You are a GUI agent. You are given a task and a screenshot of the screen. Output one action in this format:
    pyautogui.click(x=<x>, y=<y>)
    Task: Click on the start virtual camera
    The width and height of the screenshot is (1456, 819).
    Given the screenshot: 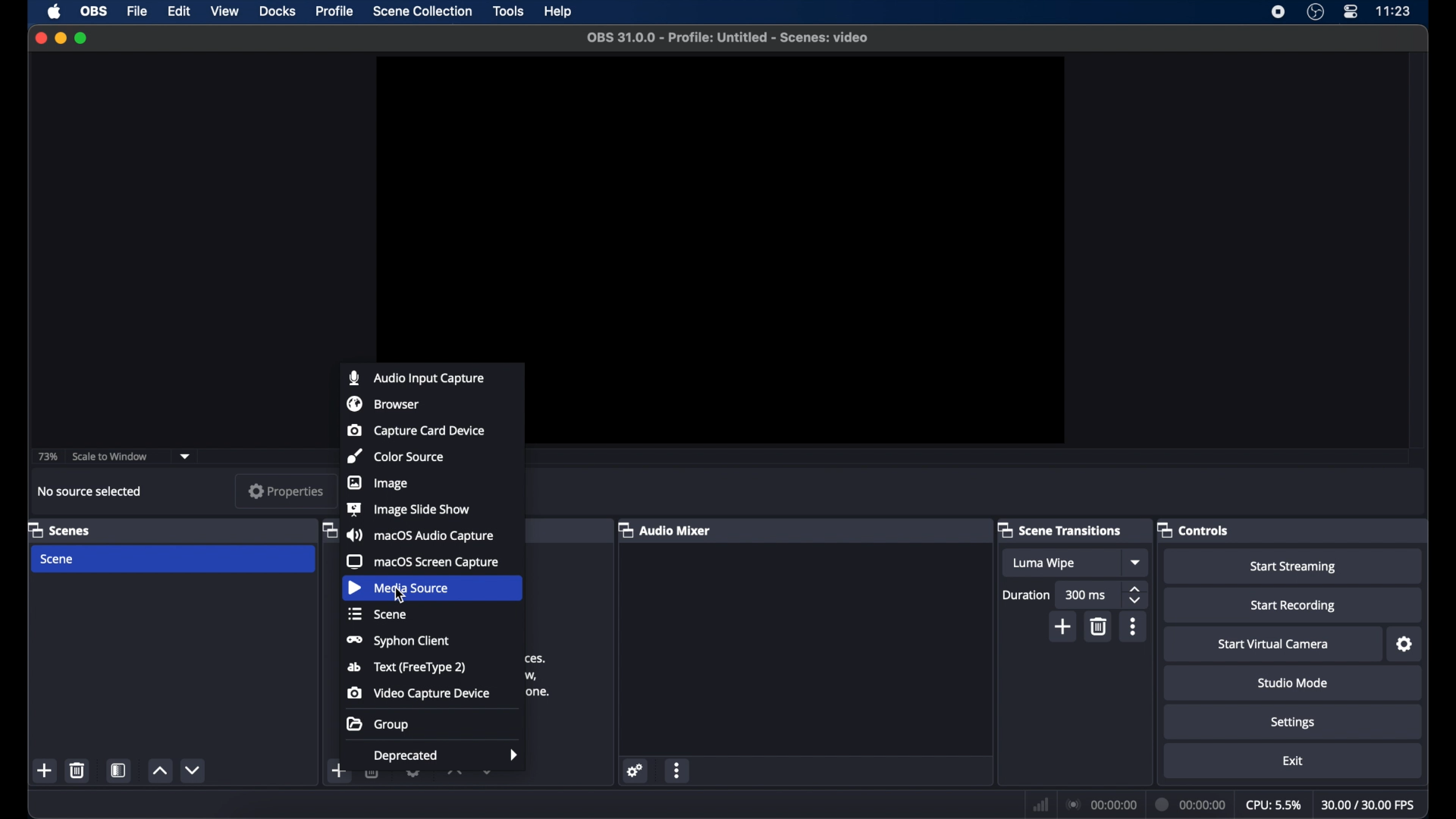 What is the action you would take?
    pyautogui.click(x=1273, y=645)
    